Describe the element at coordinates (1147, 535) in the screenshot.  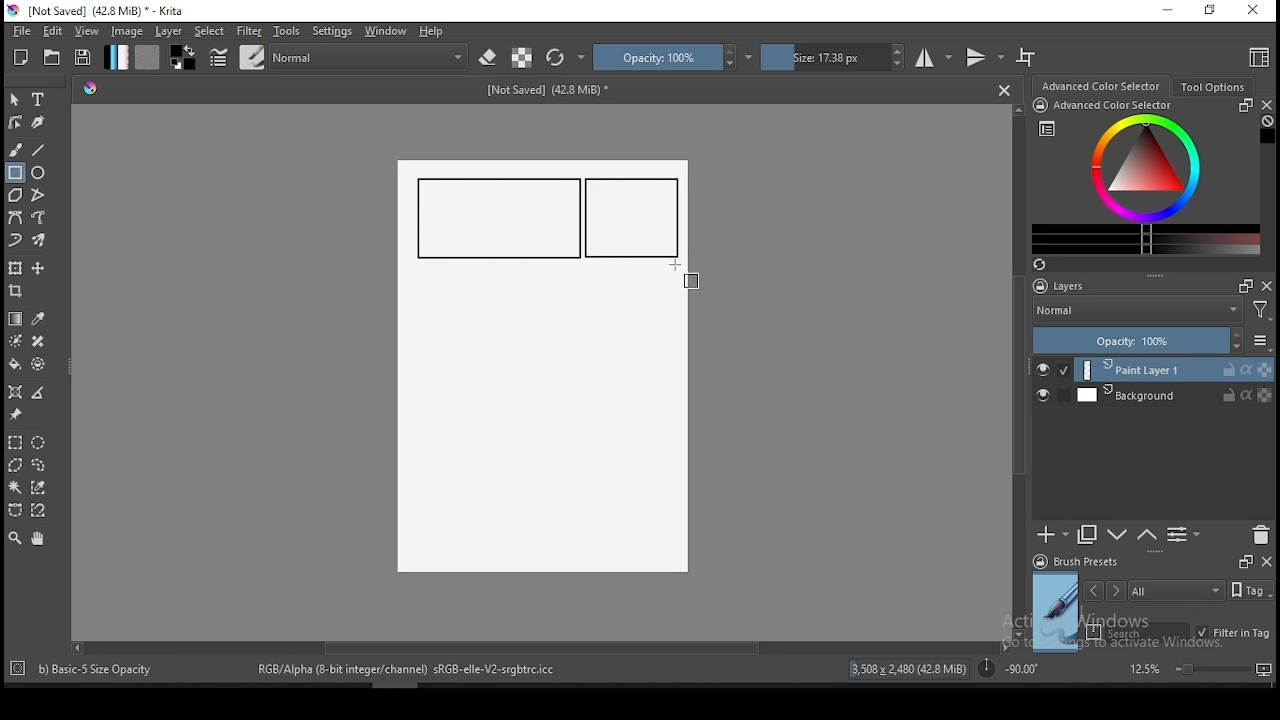
I see `move layer one step down` at that location.